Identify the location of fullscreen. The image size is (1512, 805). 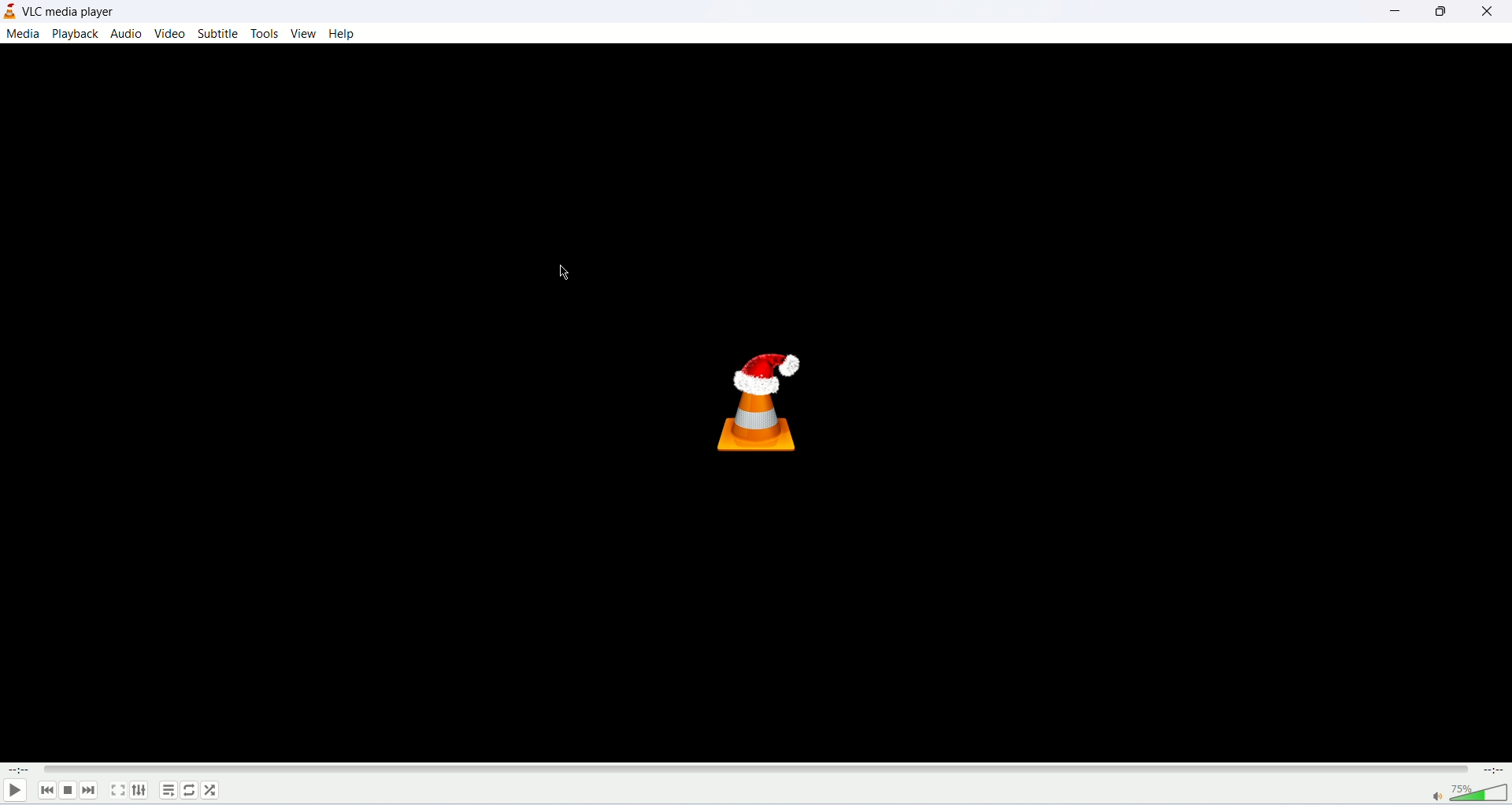
(116, 790).